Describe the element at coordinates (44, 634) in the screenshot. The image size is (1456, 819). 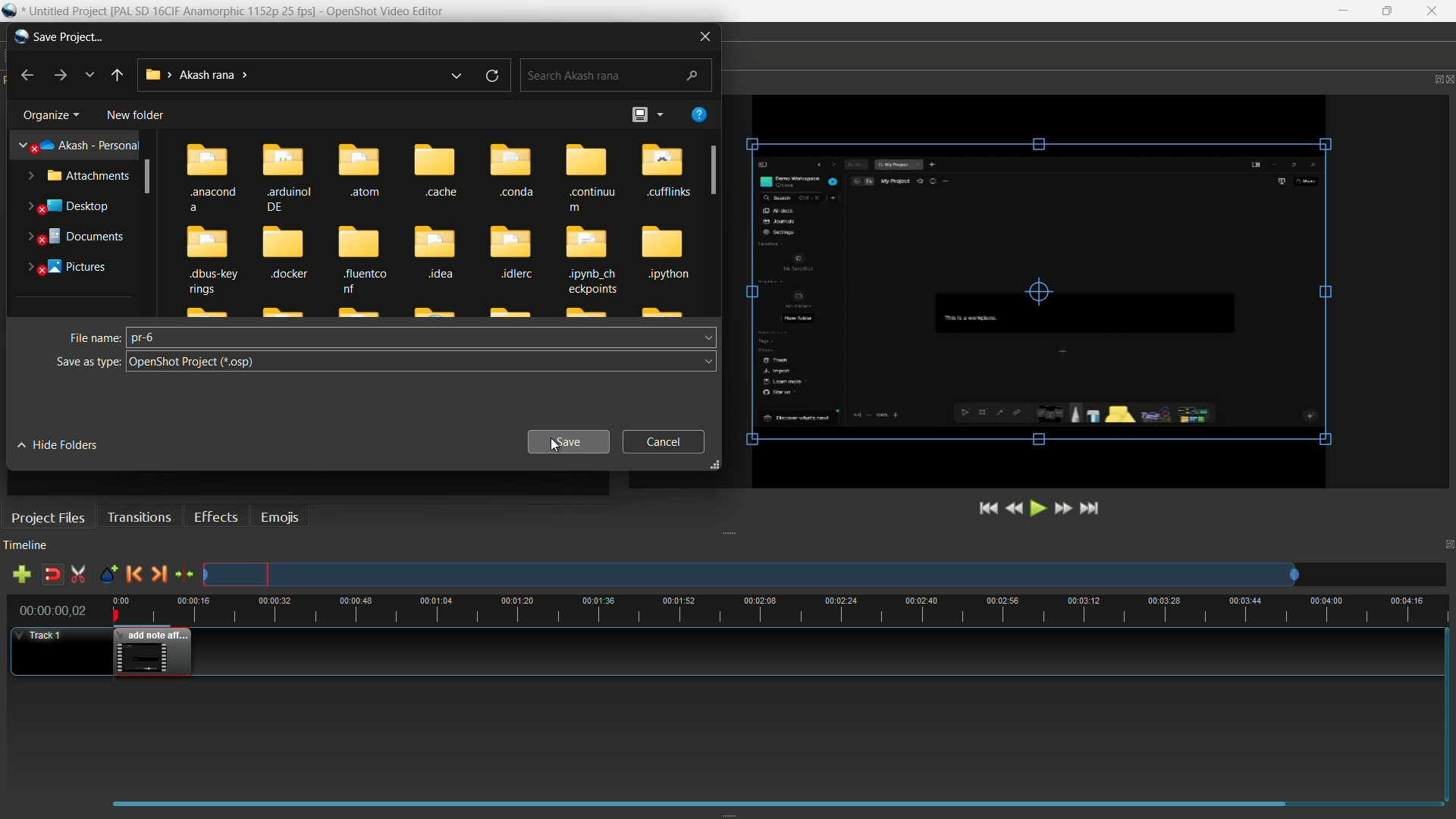
I see `track-1` at that location.